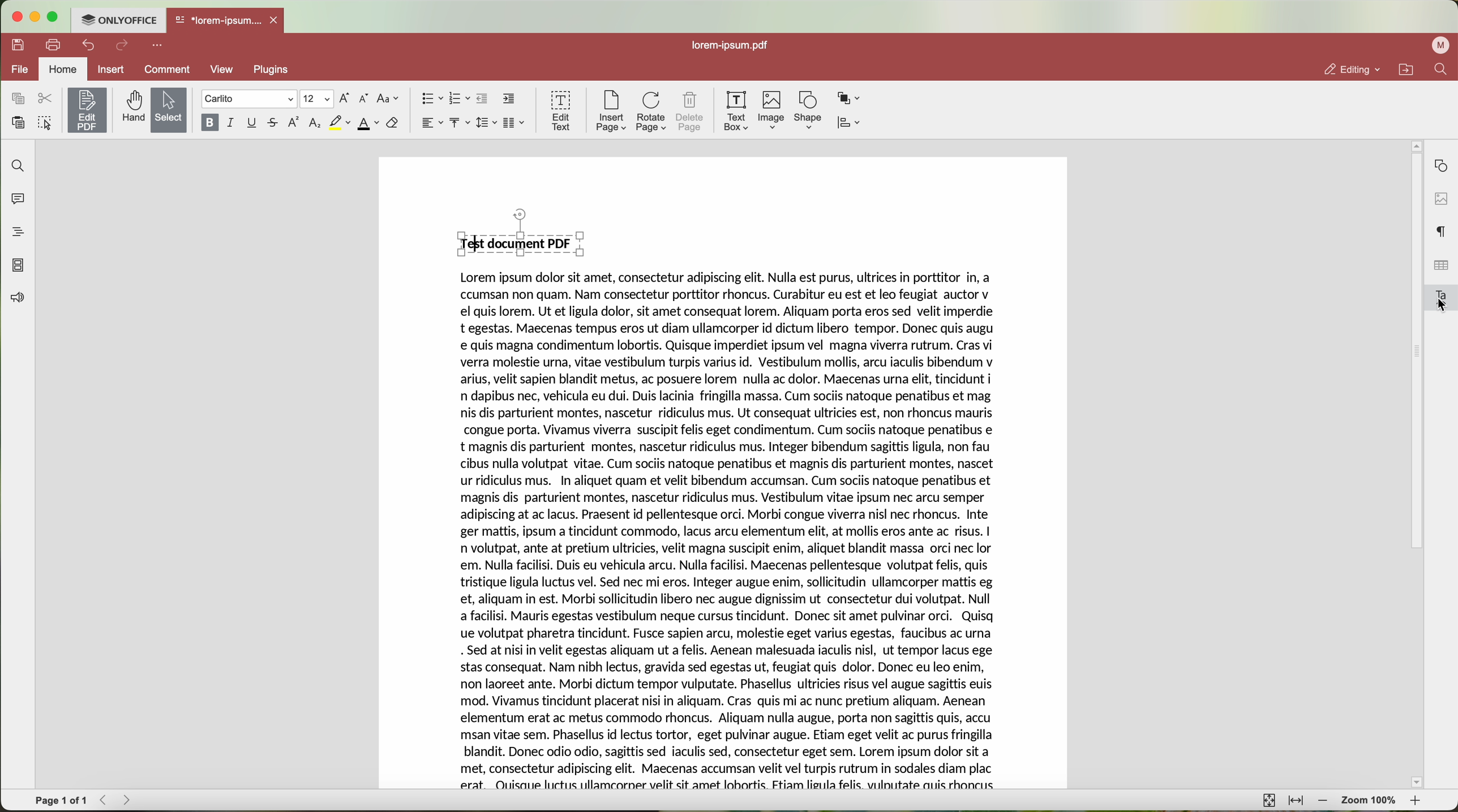 The image size is (1458, 812). I want to click on superscript, so click(295, 123).